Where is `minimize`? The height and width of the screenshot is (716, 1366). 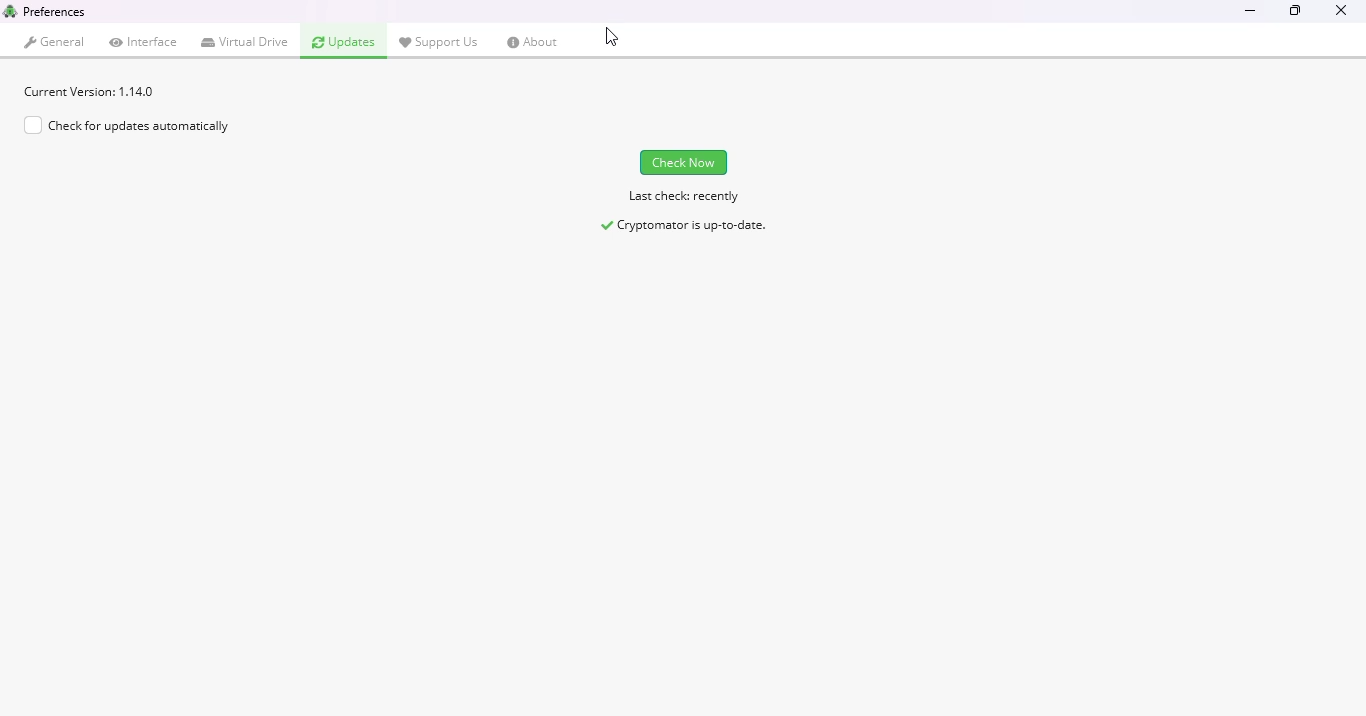 minimize is located at coordinates (1251, 12).